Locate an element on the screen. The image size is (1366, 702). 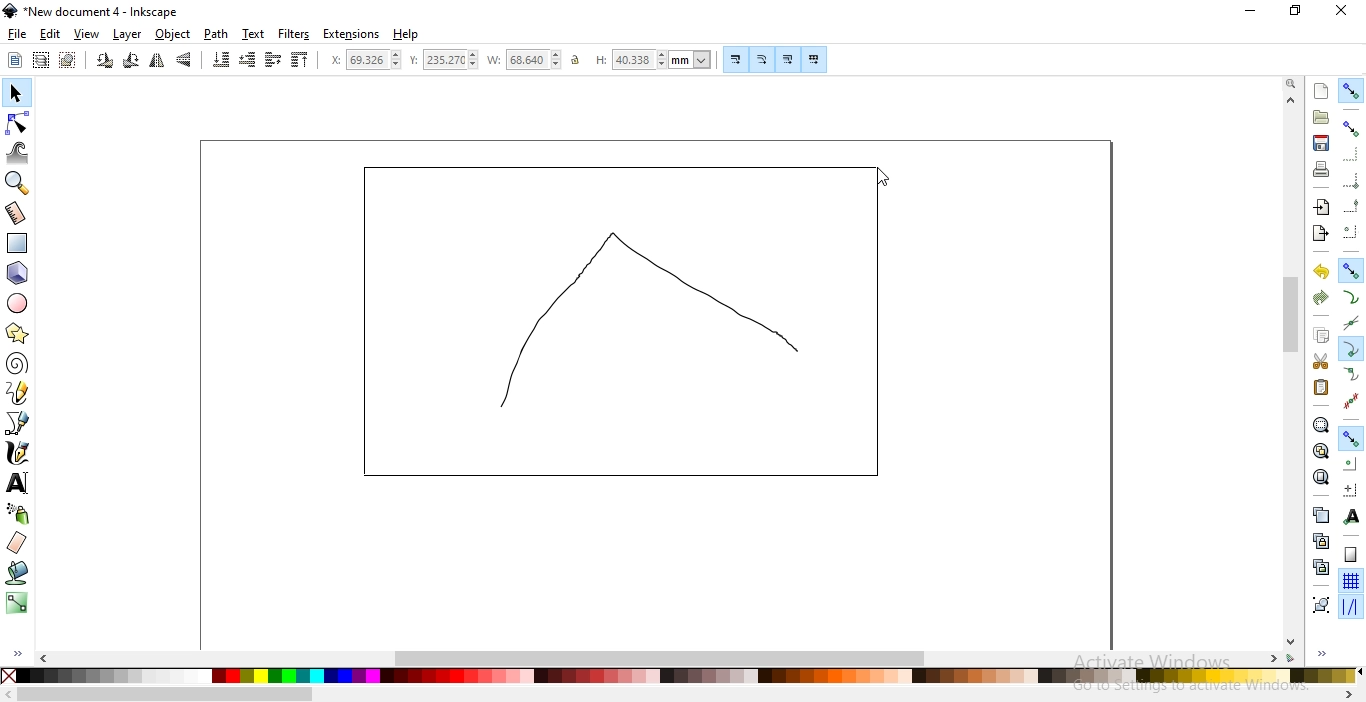
paste is located at coordinates (1320, 387).